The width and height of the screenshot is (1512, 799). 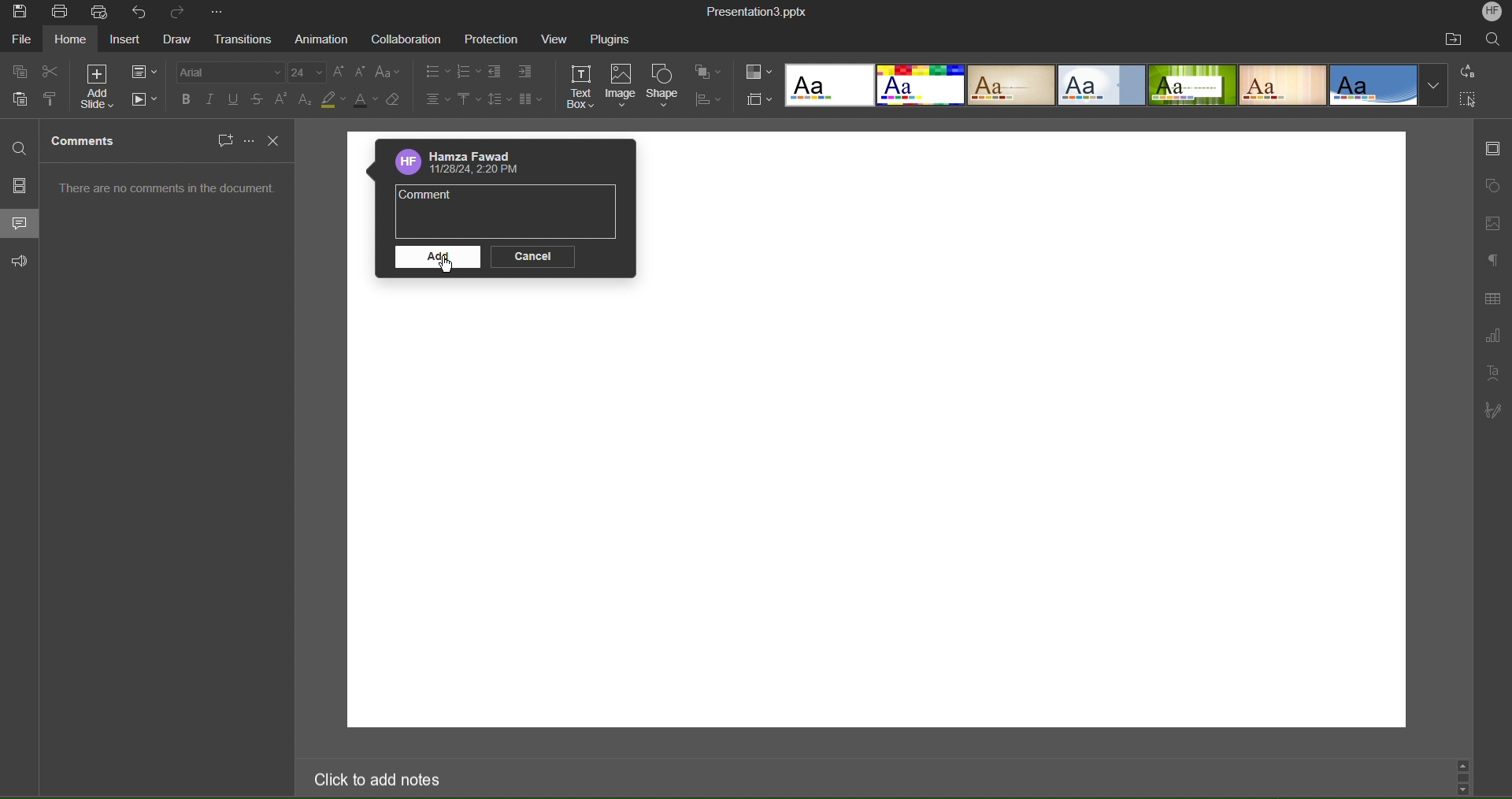 I want to click on Strikethrough, so click(x=258, y=100).